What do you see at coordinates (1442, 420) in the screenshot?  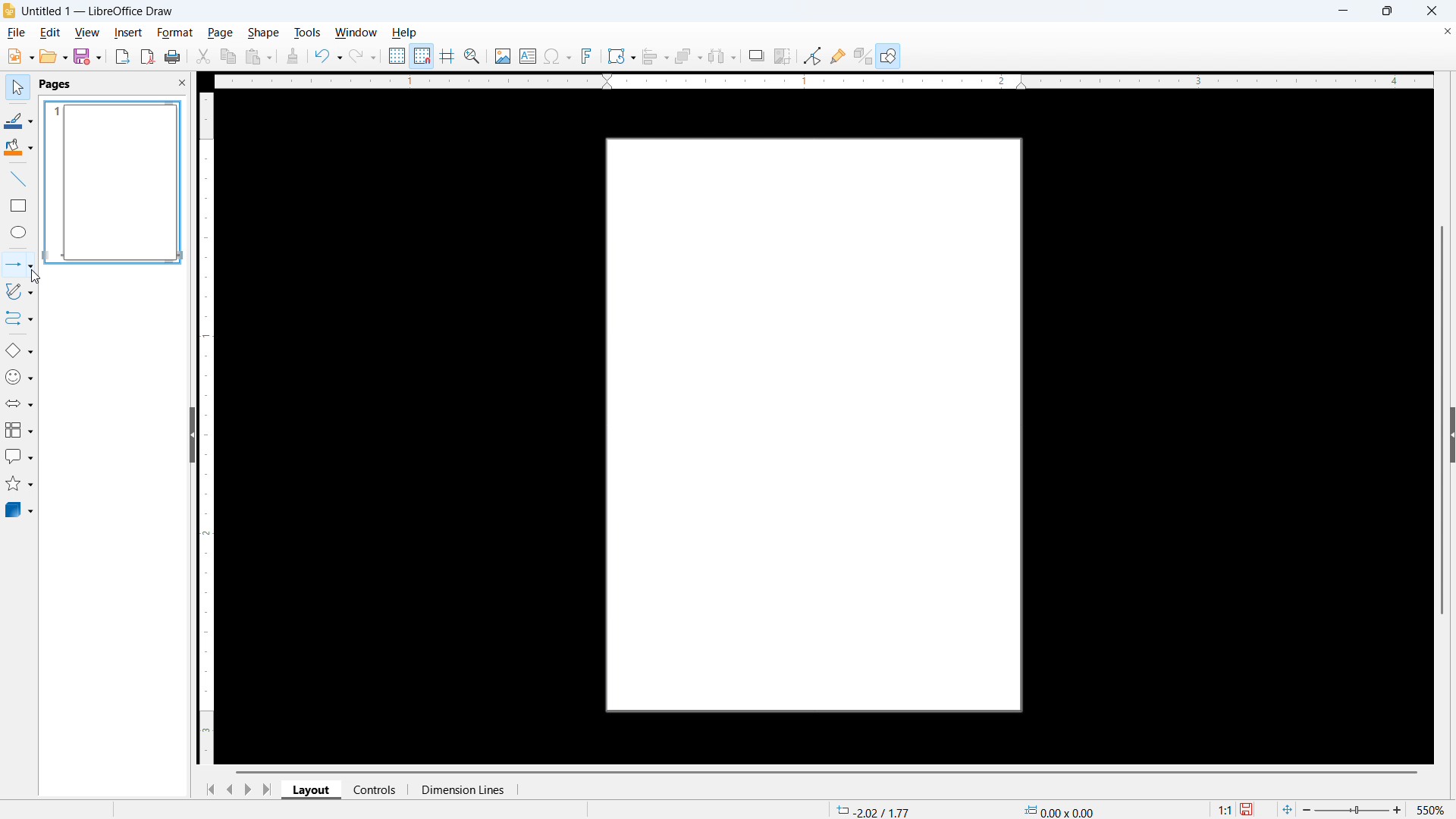 I see `Vertical scroll bar ` at bounding box center [1442, 420].